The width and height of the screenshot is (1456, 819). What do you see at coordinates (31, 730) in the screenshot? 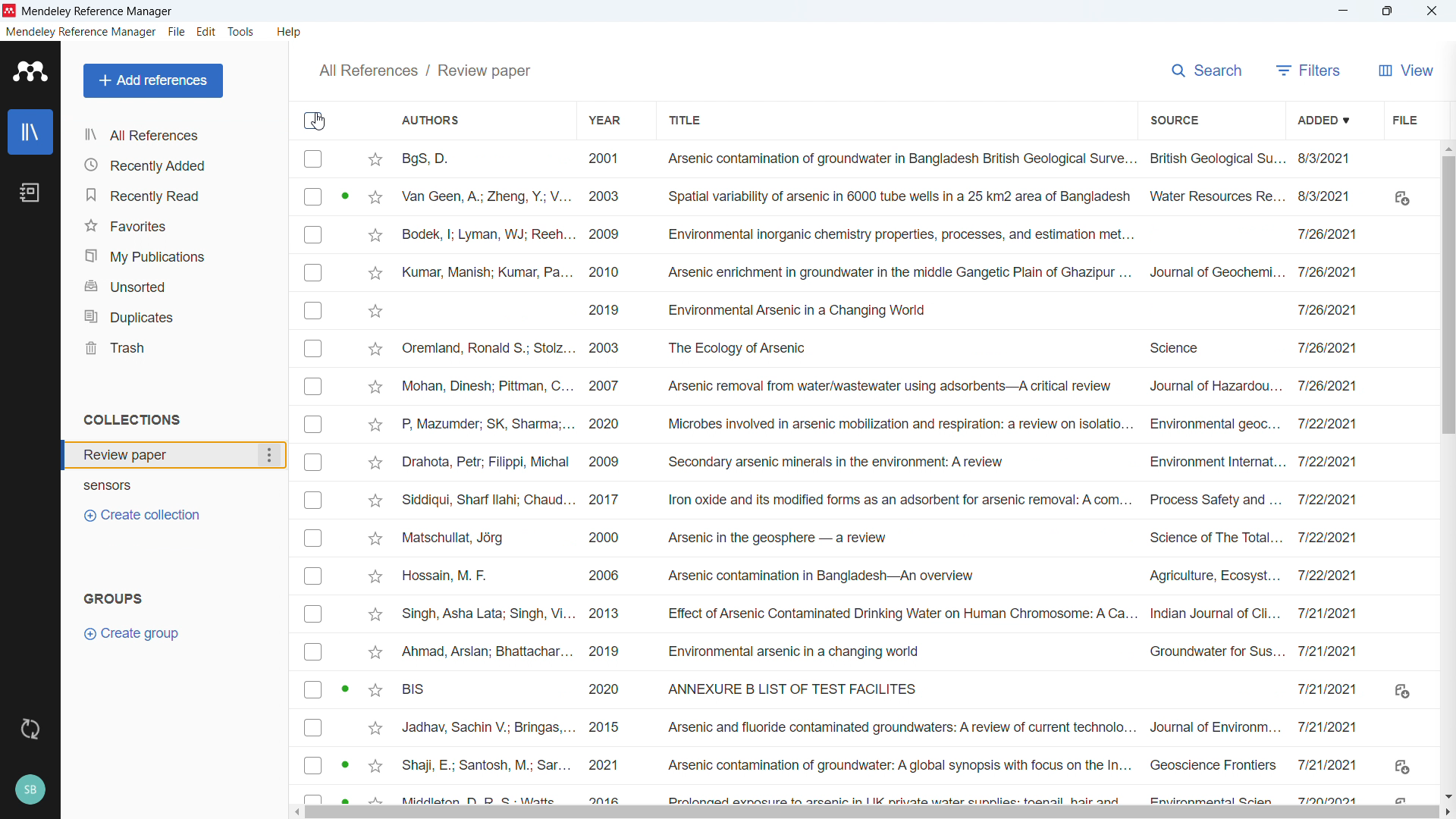
I see `Sync ` at bounding box center [31, 730].